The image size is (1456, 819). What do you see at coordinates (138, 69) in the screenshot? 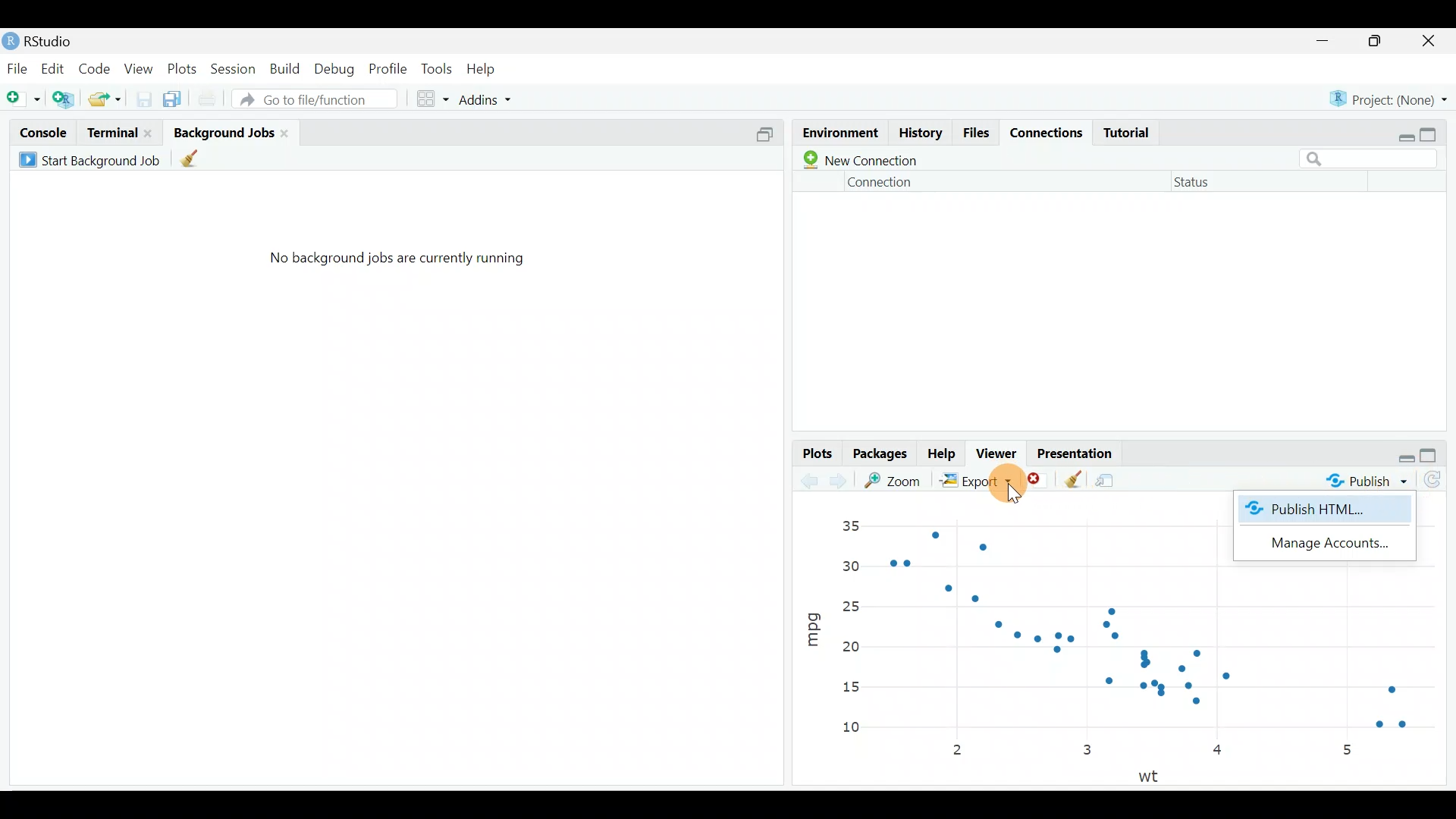
I see `View` at bounding box center [138, 69].